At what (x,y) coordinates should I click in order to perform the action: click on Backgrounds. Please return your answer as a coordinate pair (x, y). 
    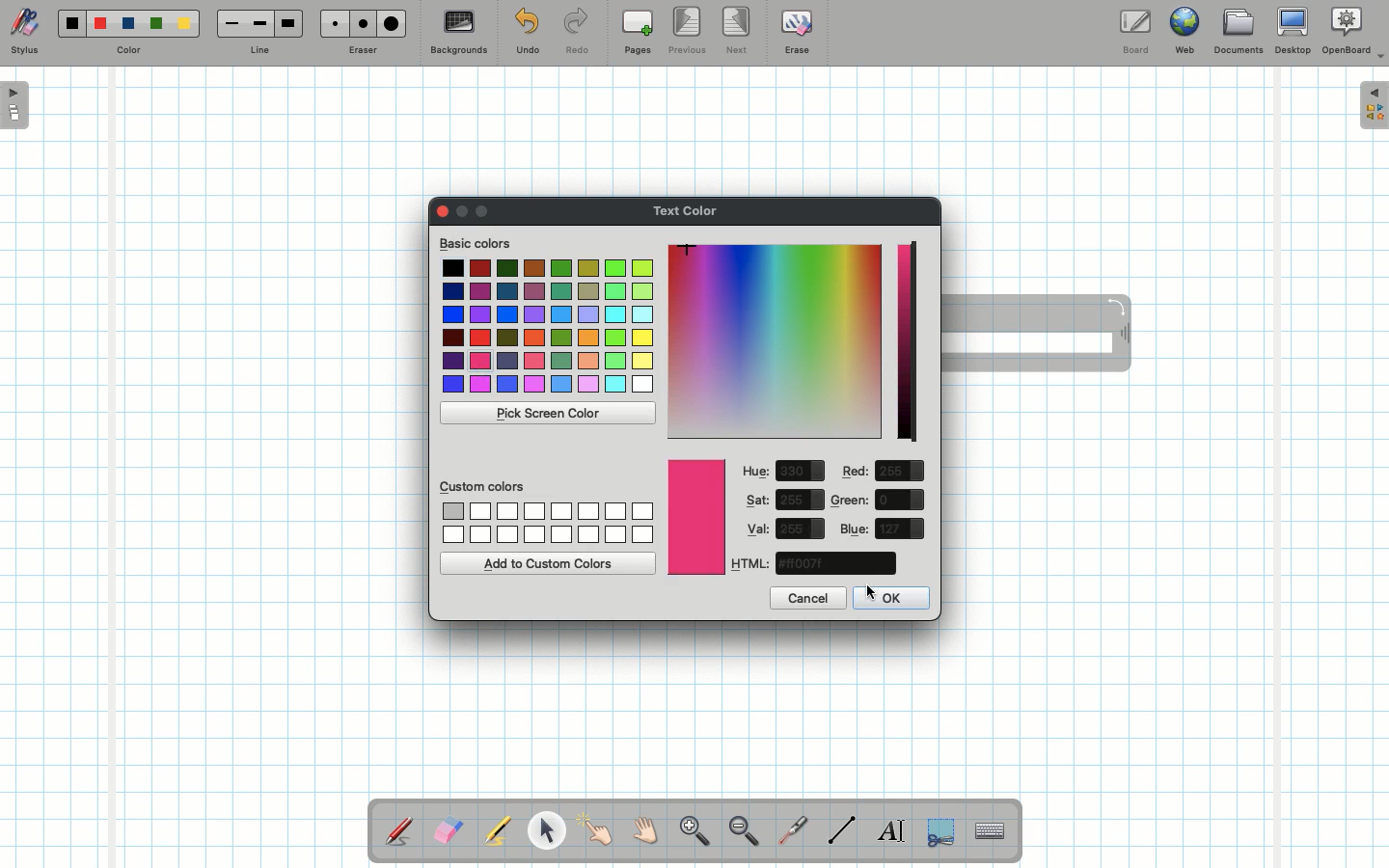
    Looking at the image, I should click on (458, 33).